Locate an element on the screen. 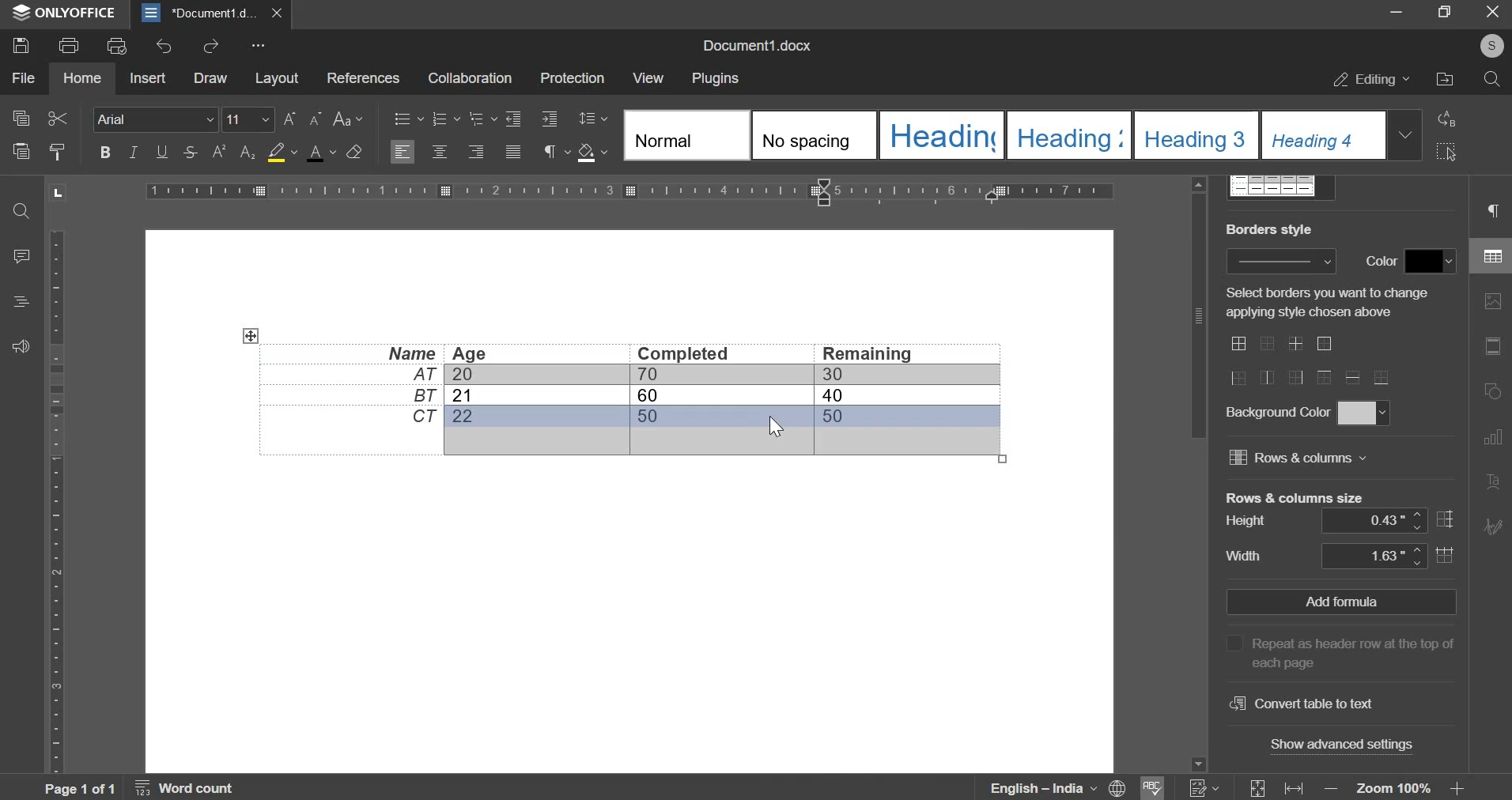 The image size is (1512, 800). shading is located at coordinates (587, 152).